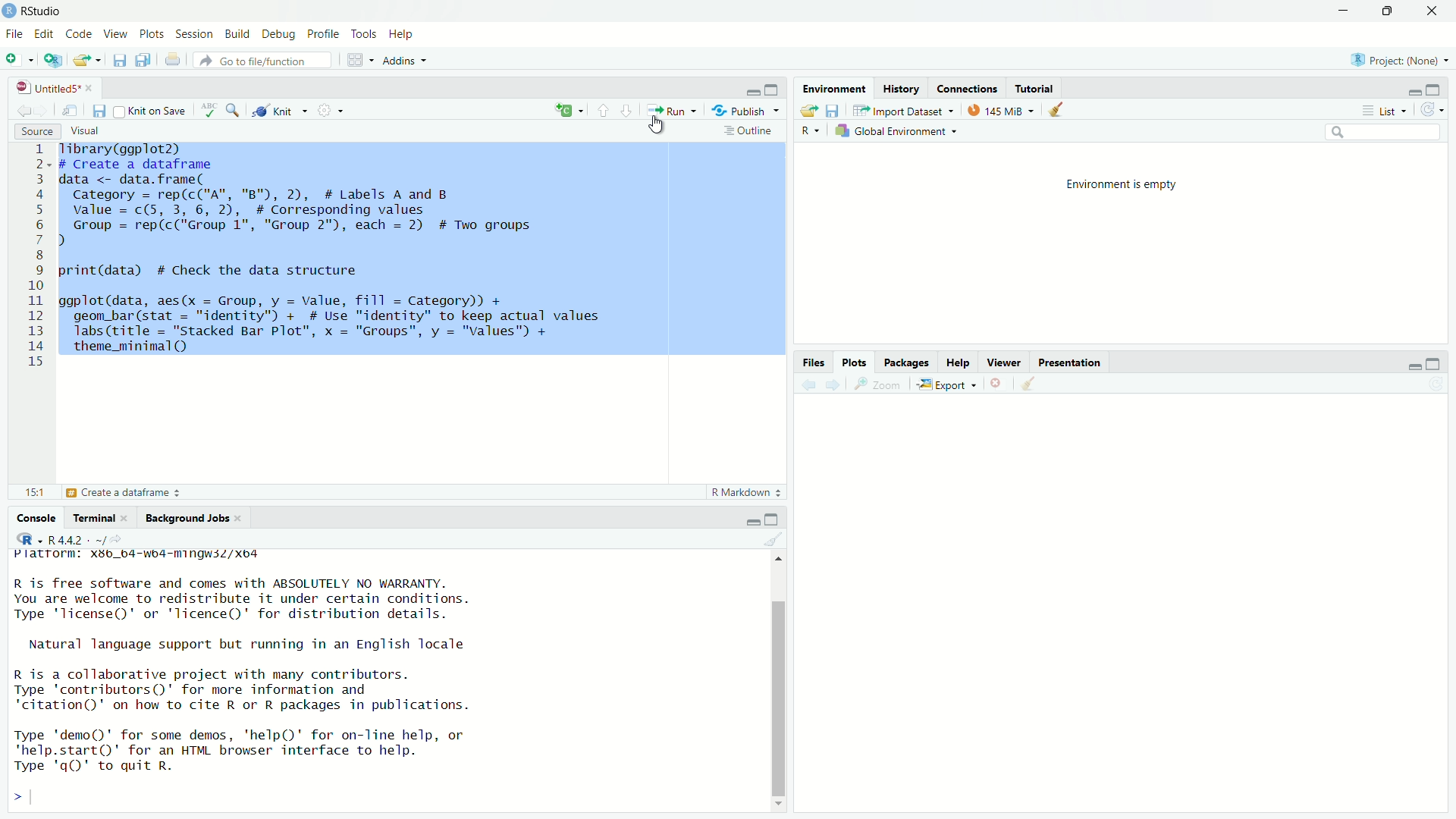  What do you see at coordinates (37, 516) in the screenshot?
I see `Console` at bounding box center [37, 516].